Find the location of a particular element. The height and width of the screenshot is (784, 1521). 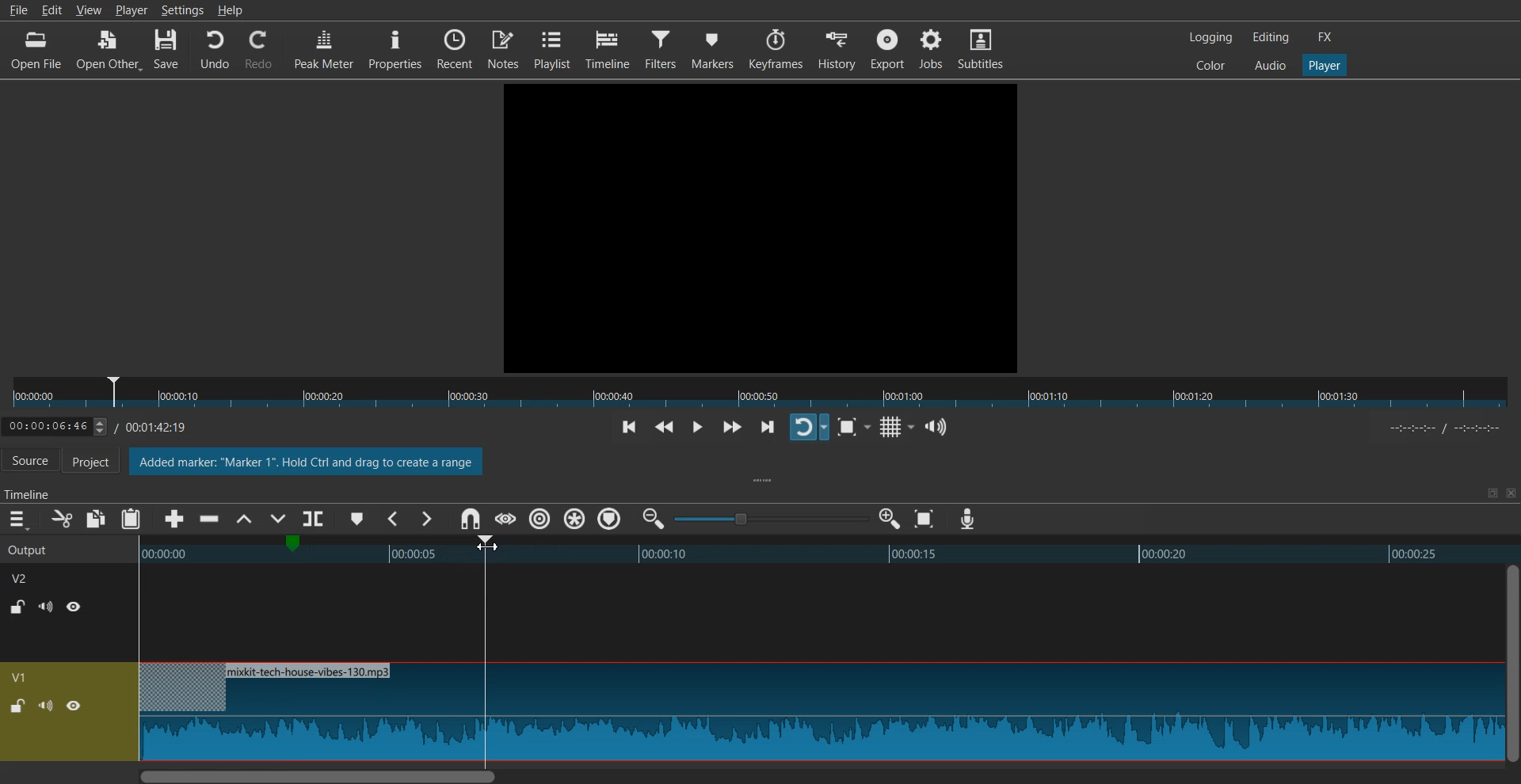

Player is located at coordinates (1325, 66).